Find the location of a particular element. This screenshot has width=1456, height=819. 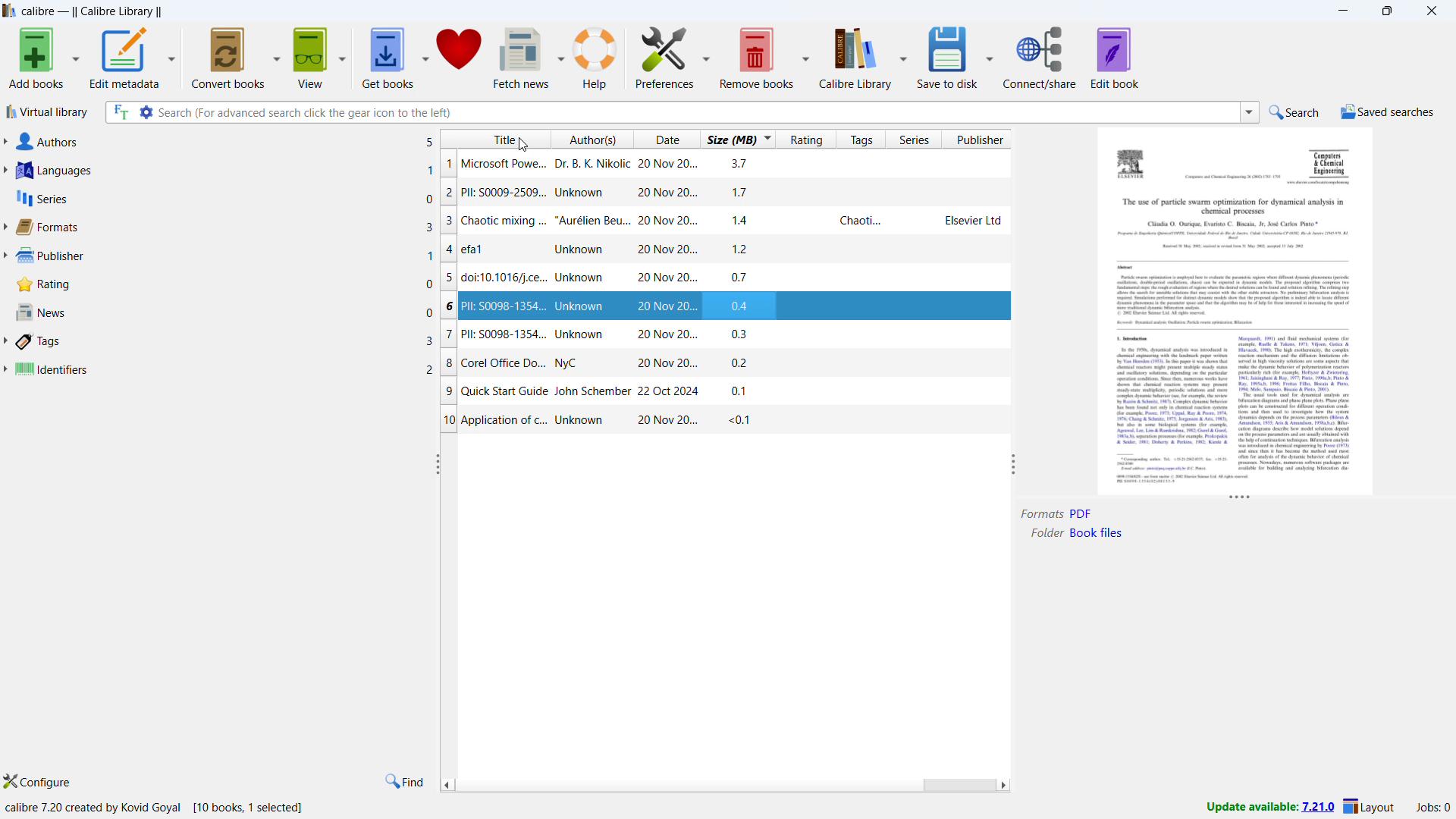

expand tags is located at coordinates (6, 340).